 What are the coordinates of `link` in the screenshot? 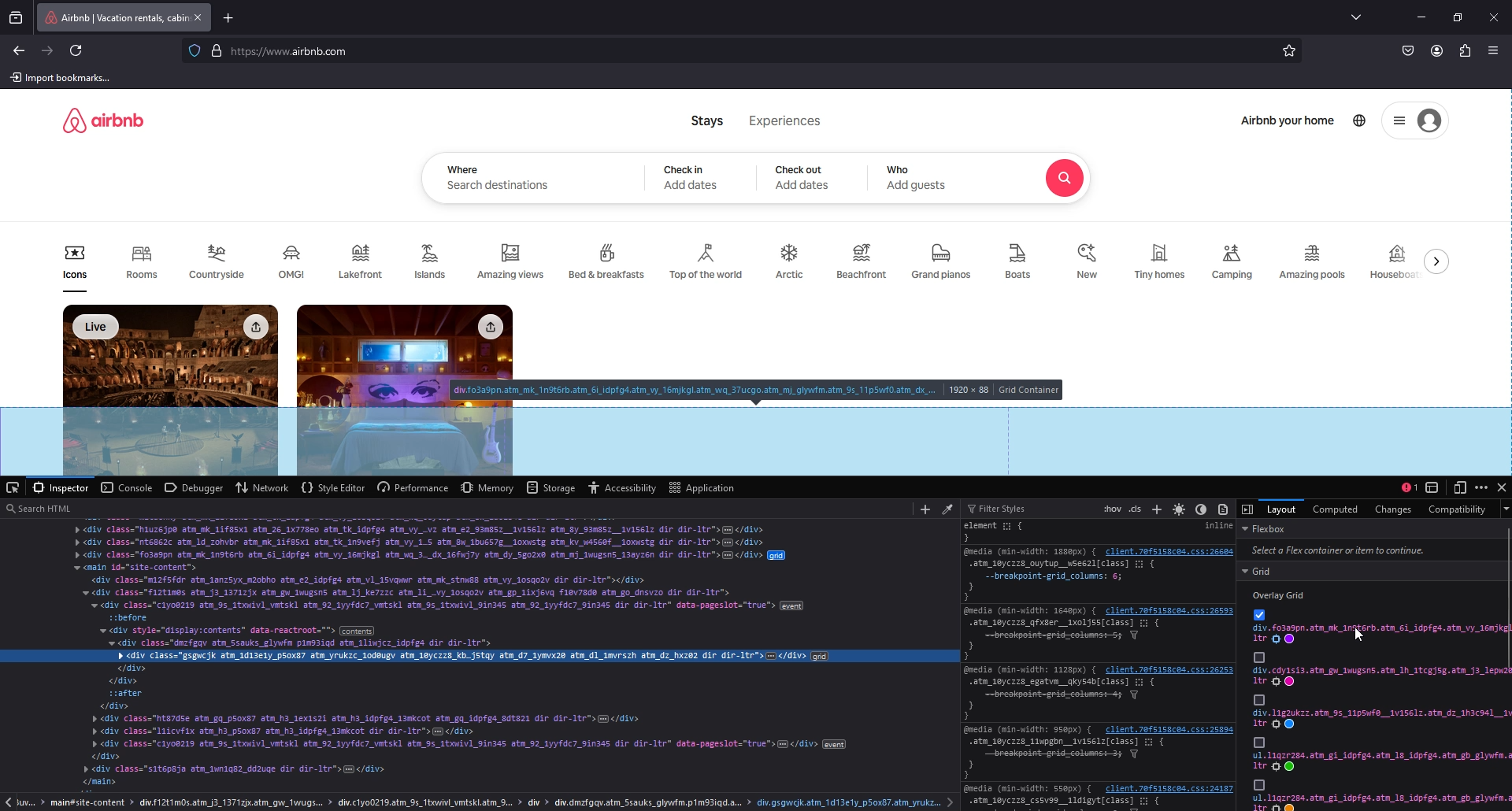 It's located at (1167, 789).